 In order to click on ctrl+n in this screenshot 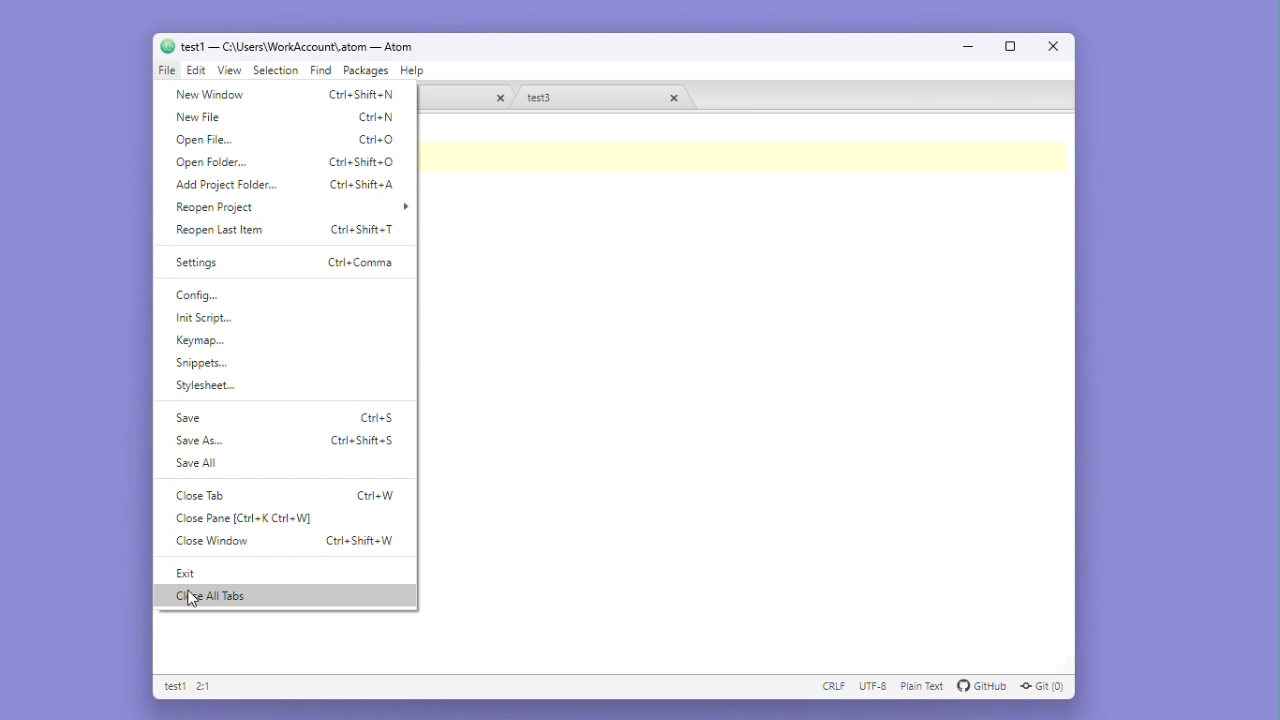, I will do `click(377, 115)`.